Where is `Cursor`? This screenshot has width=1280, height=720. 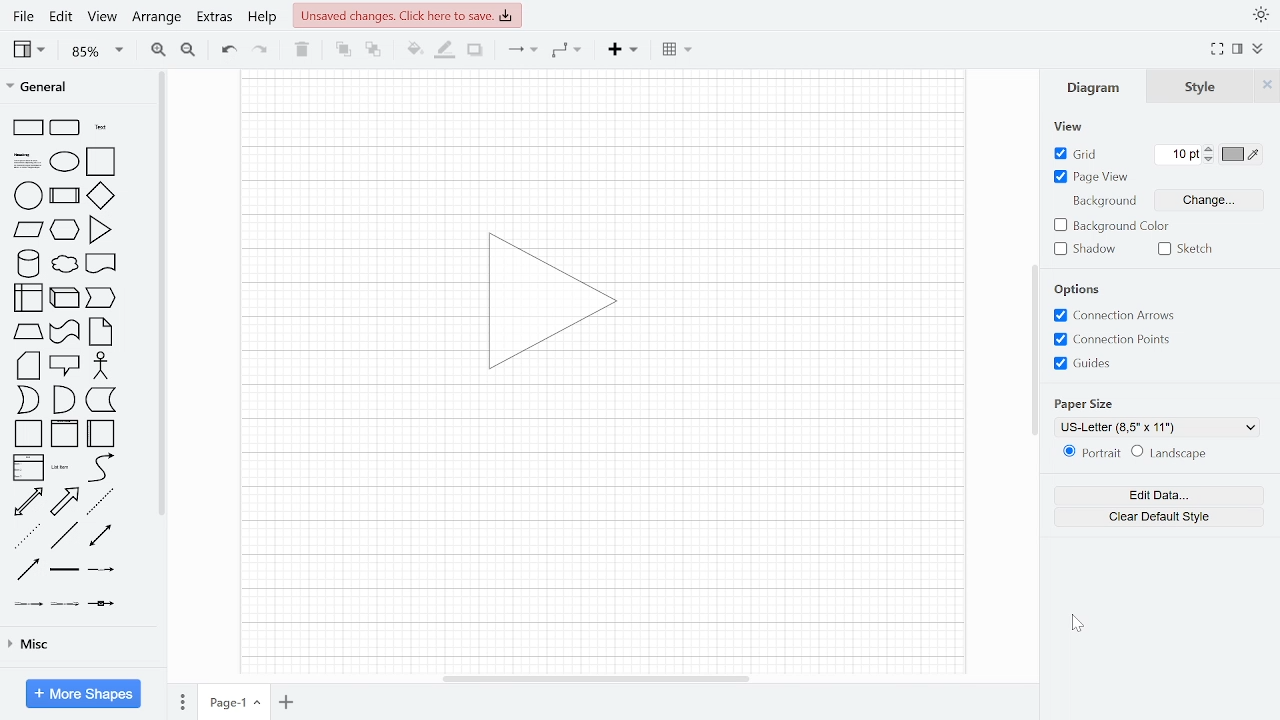
Cursor is located at coordinates (1077, 623).